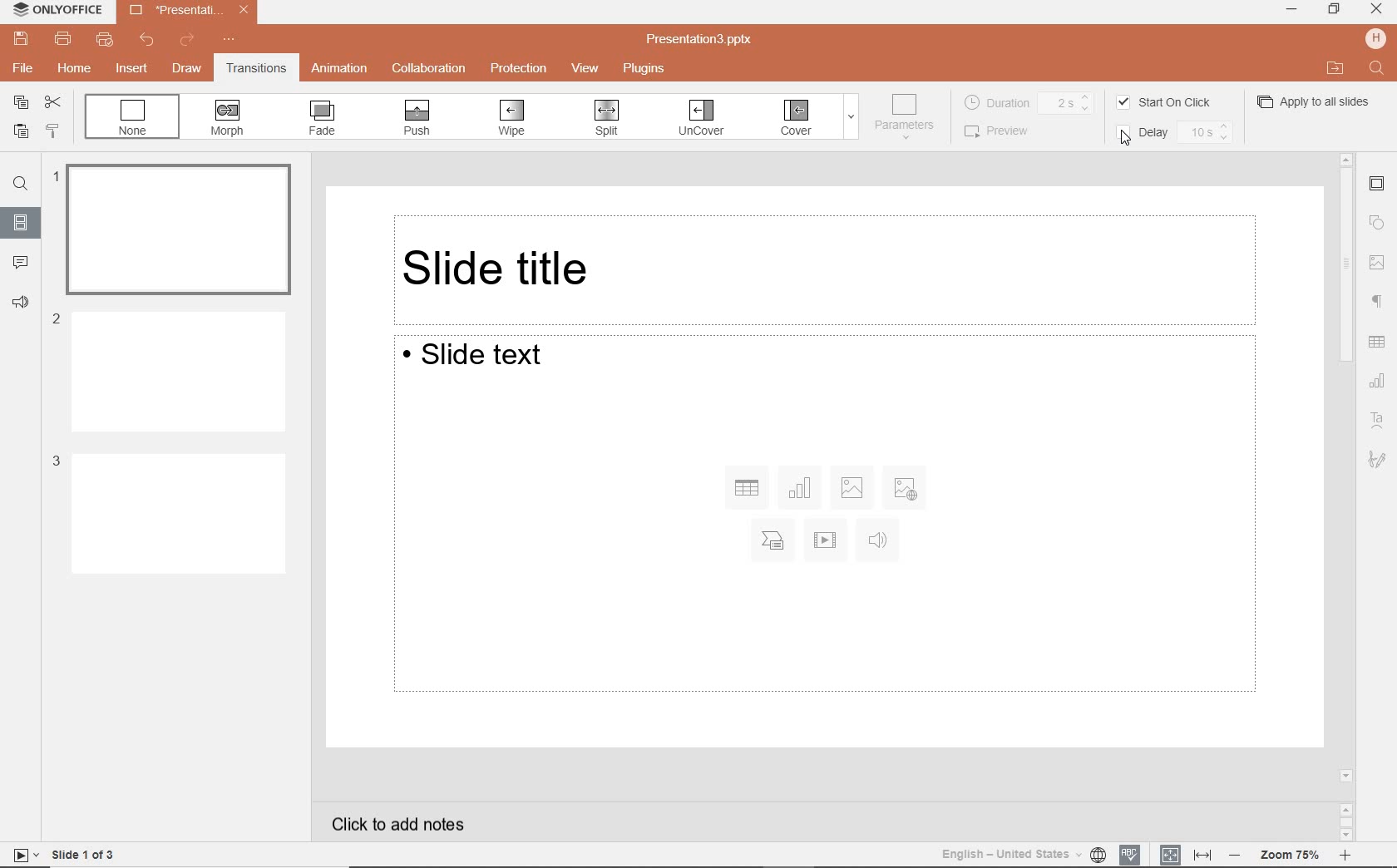 This screenshot has height=868, width=1397. Describe the element at coordinates (1030, 101) in the screenshot. I see `DURATION` at that location.